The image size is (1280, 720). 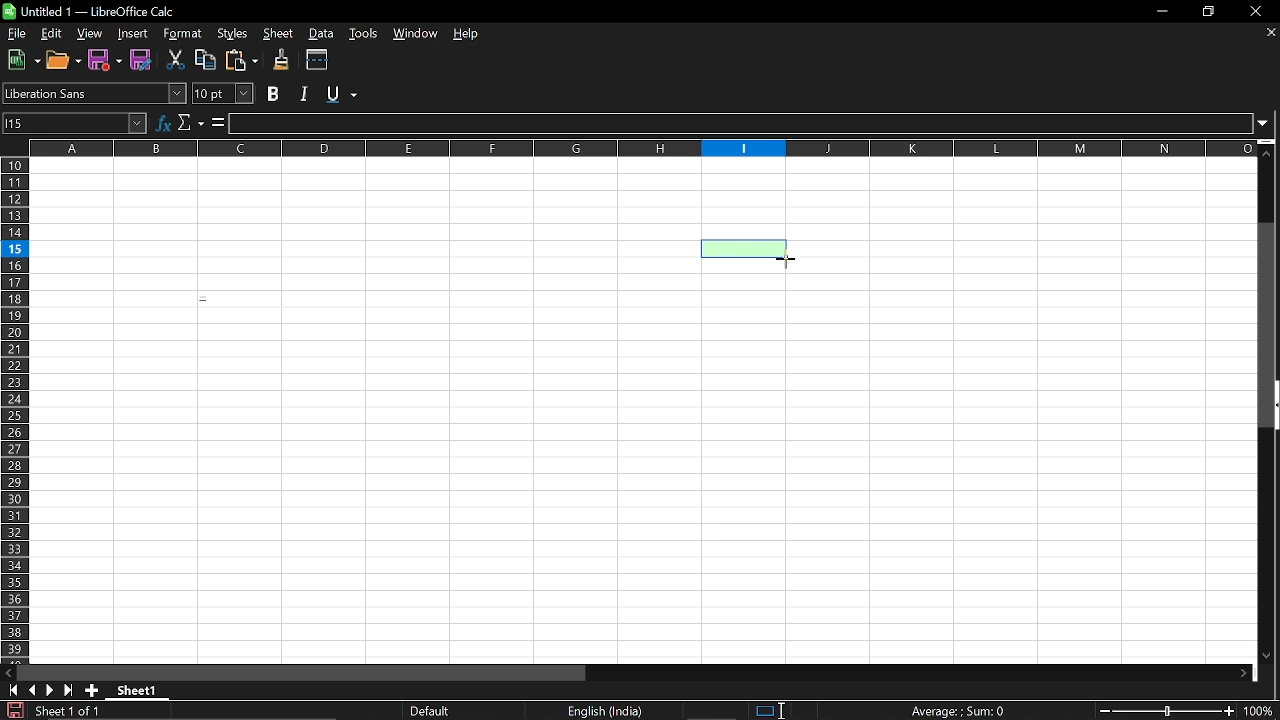 What do you see at coordinates (8, 672) in the screenshot?
I see `Move left` at bounding box center [8, 672].